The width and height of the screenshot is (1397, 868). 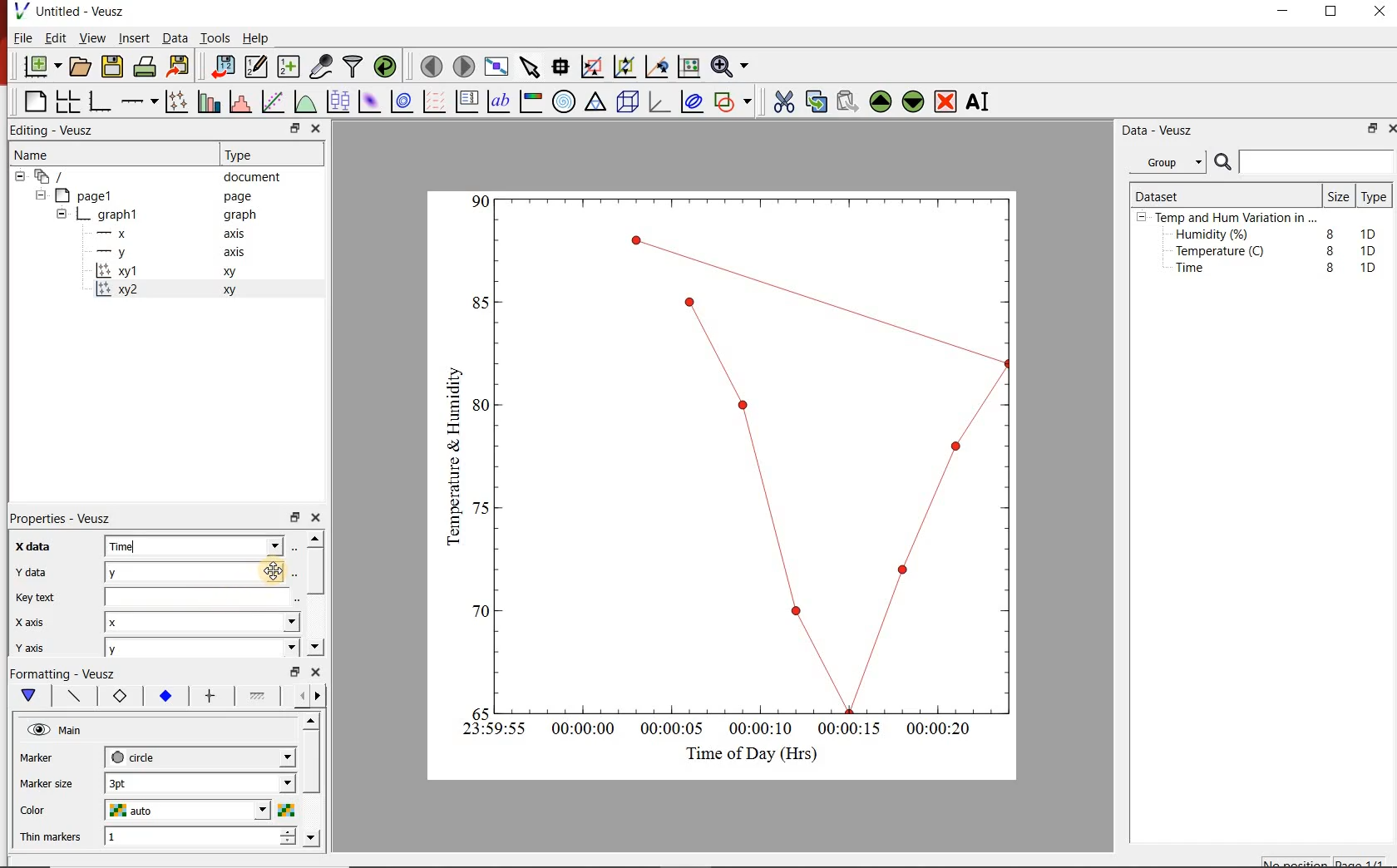 I want to click on scroll bar, so click(x=318, y=591).